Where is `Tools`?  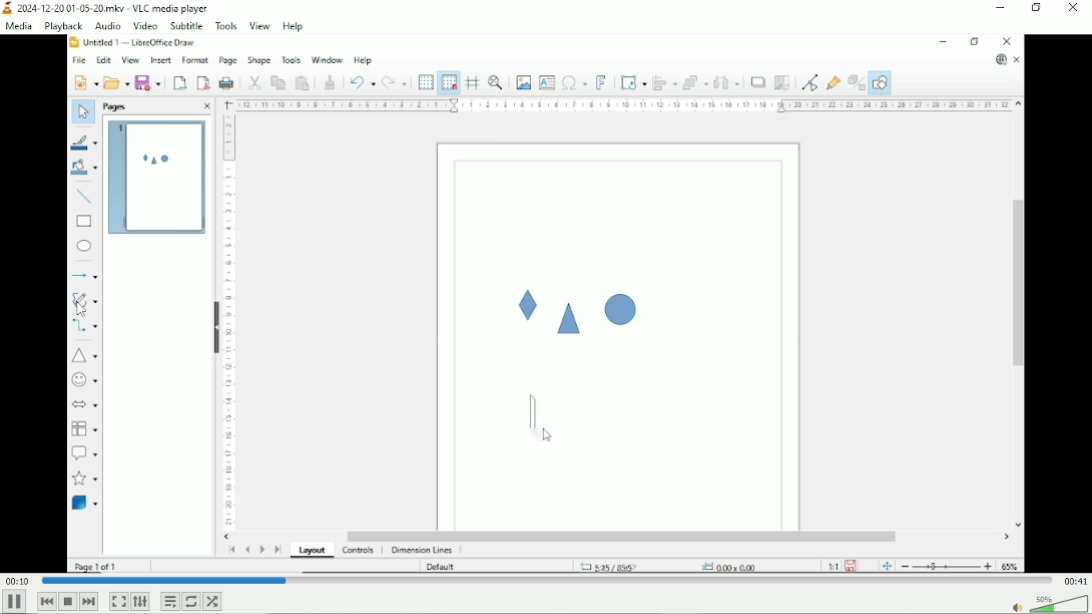 Tools is located at coordinates (226, 25).